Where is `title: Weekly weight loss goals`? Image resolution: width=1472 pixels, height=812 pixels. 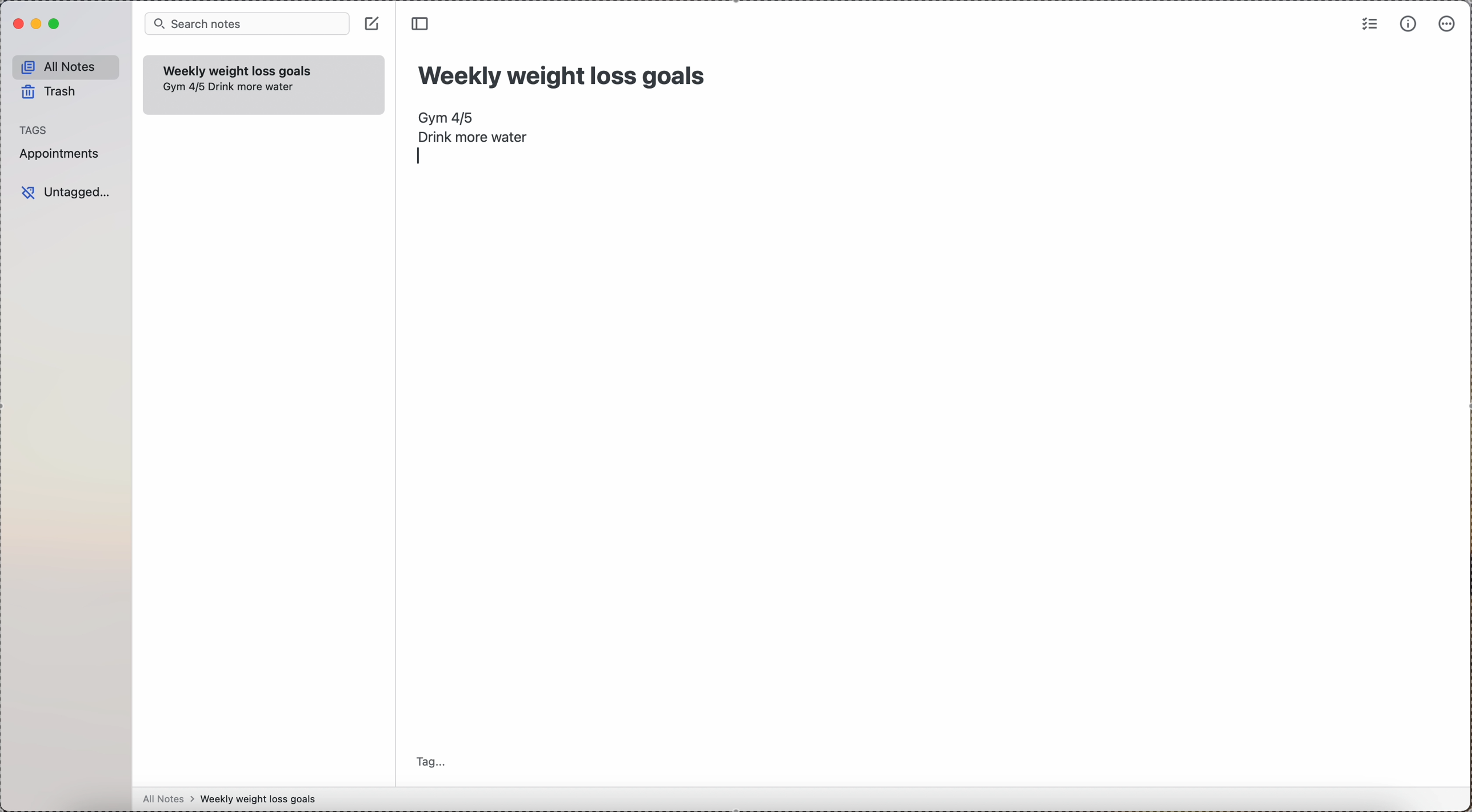
title: Weekly weight loss goals is located at coordinates (565, 73).